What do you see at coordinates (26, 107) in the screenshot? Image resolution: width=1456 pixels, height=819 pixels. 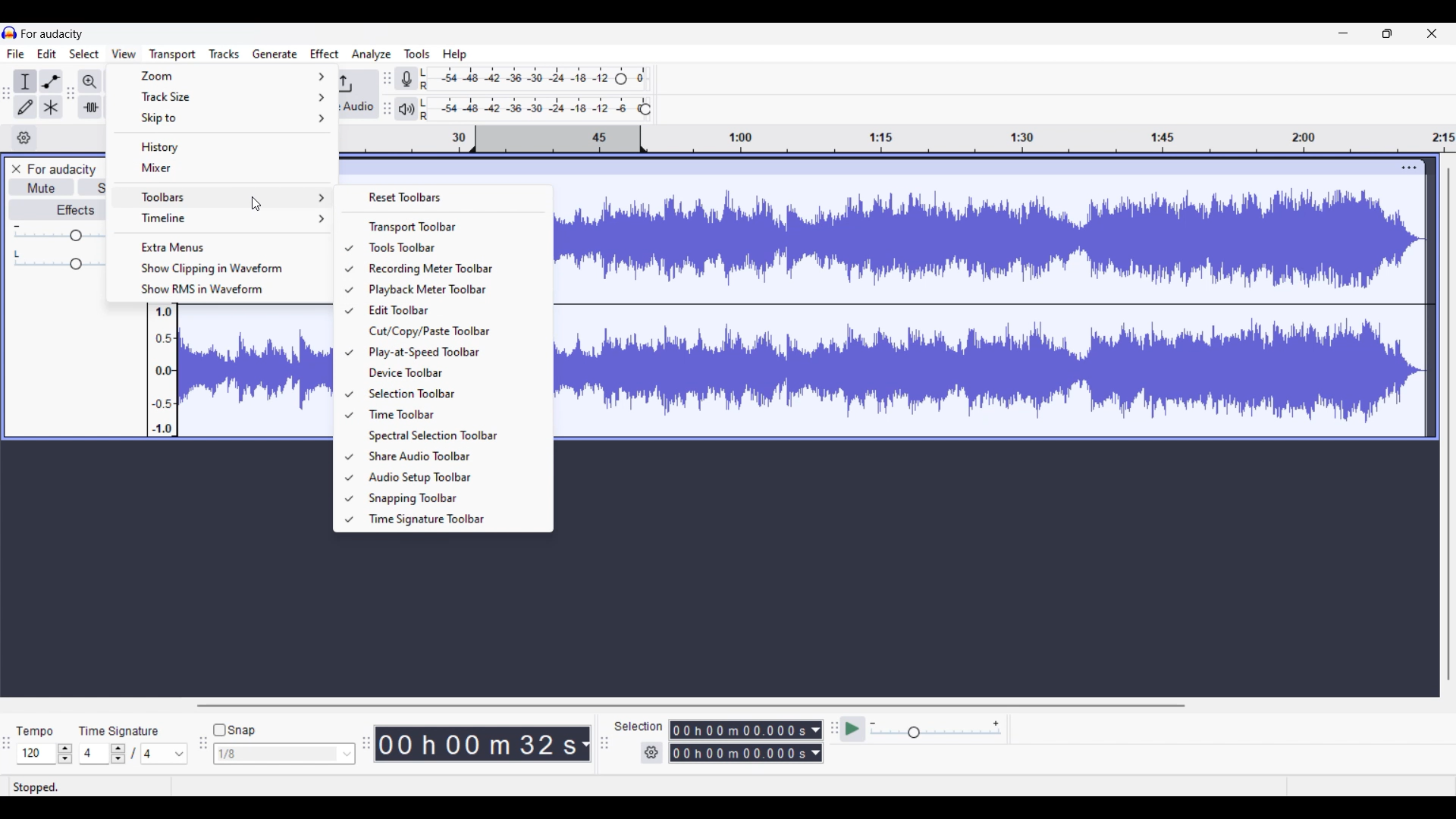 I see `Draw tool` at bounding box center [26, 107].